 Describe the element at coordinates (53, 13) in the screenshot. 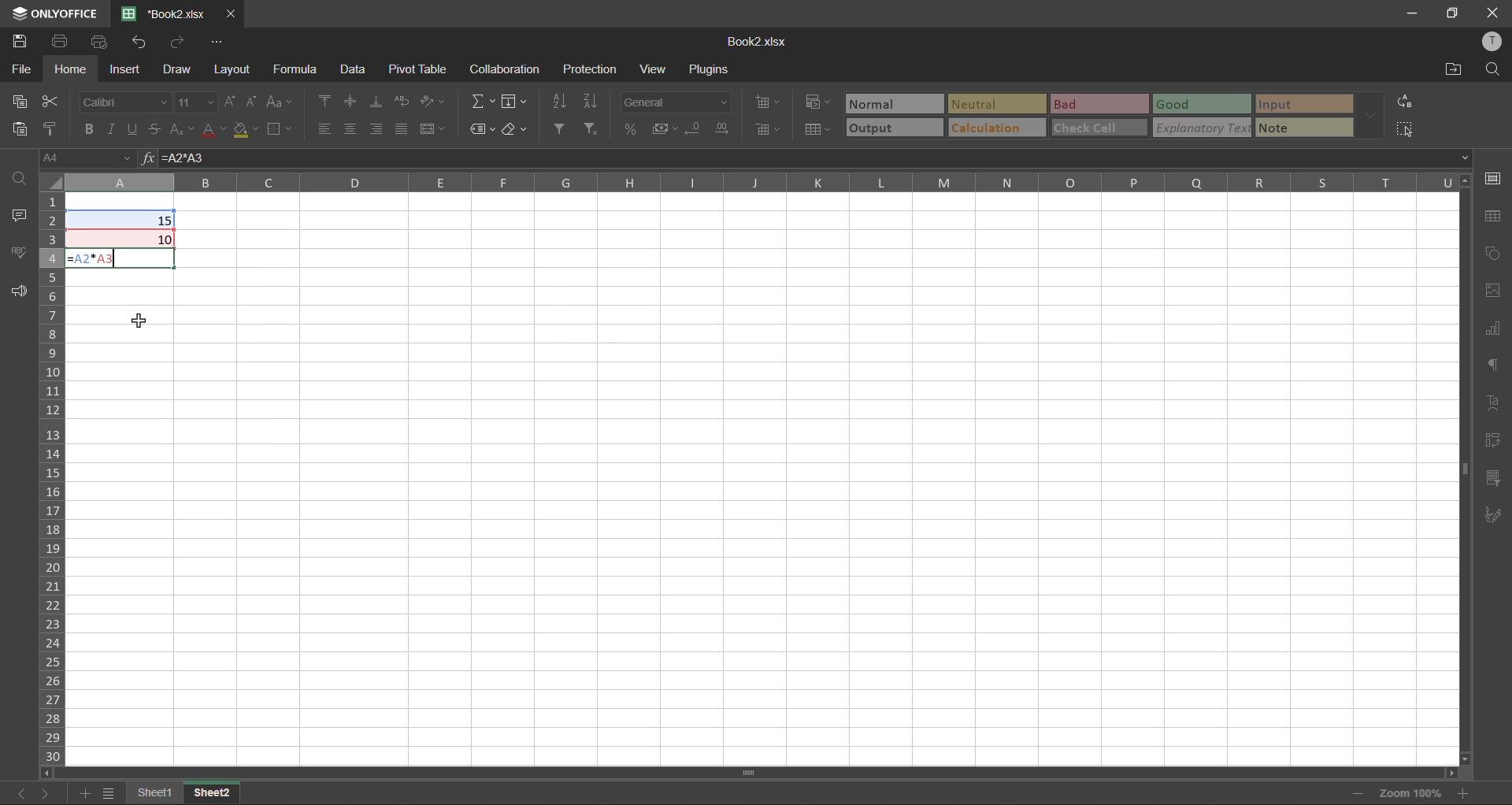

I see `only office` at that location.